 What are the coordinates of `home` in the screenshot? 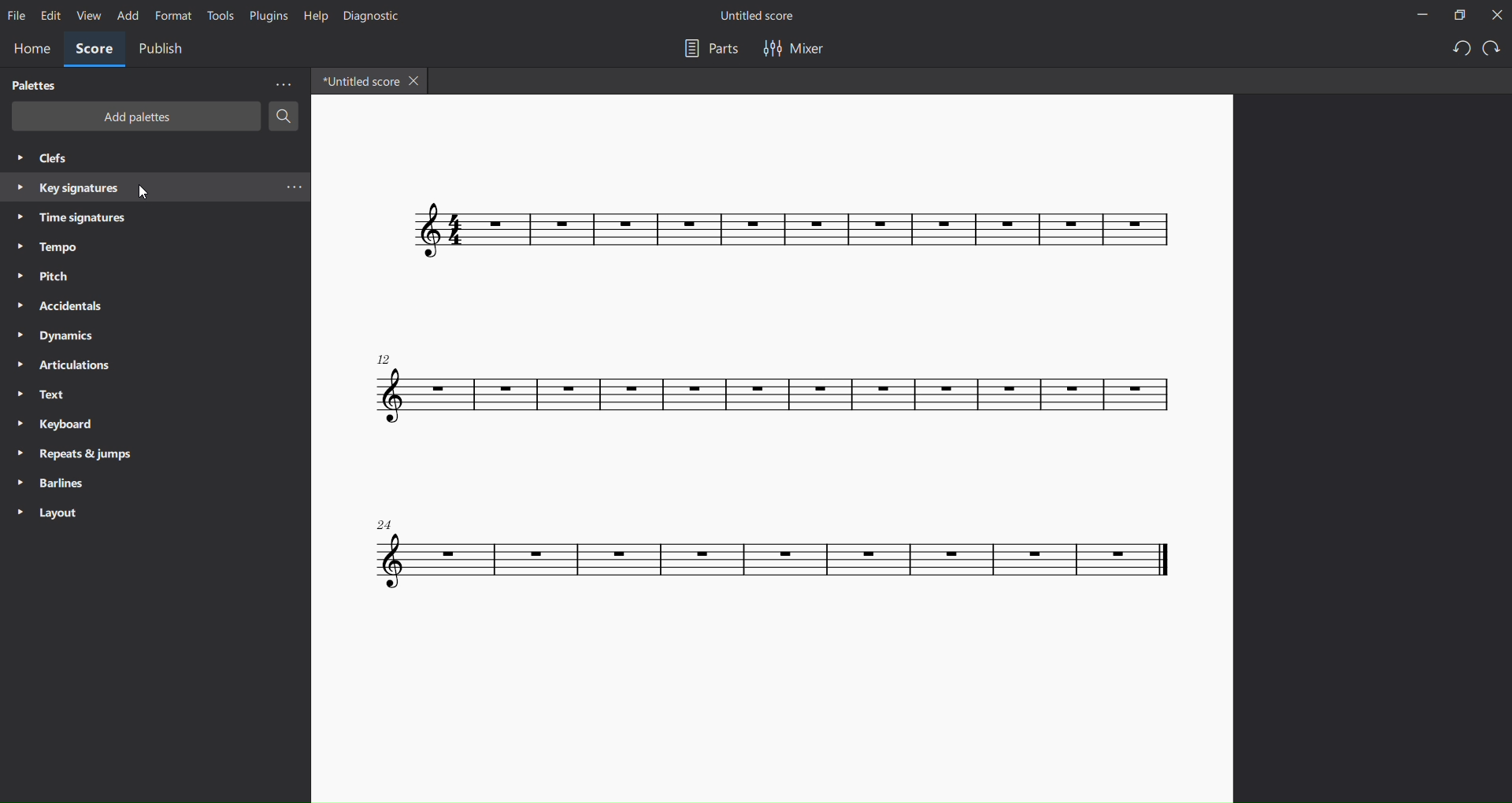 It's located at (30, 48).